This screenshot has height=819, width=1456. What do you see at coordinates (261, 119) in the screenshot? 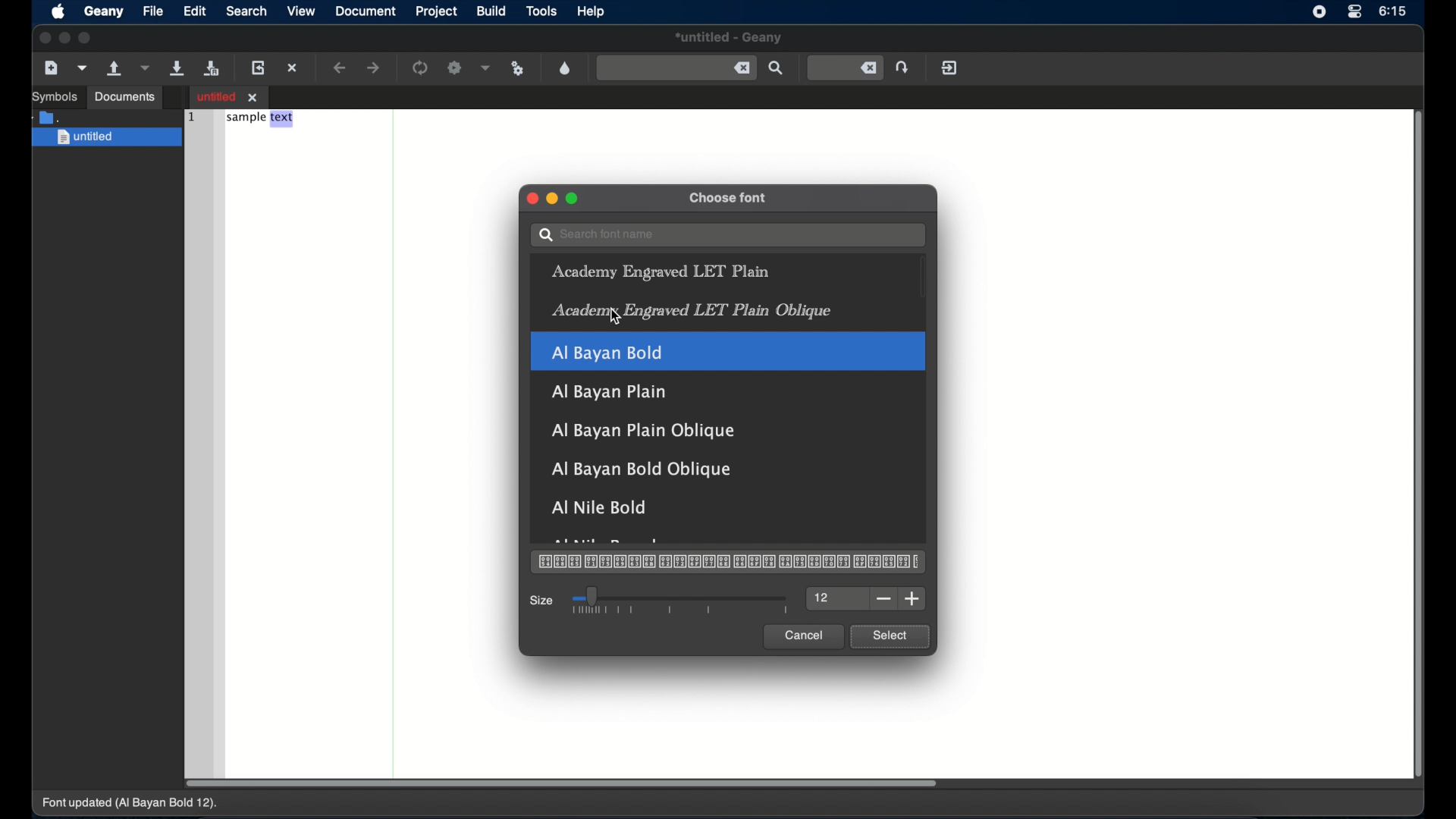
I see `sample text` at bounding box center [261, 119].